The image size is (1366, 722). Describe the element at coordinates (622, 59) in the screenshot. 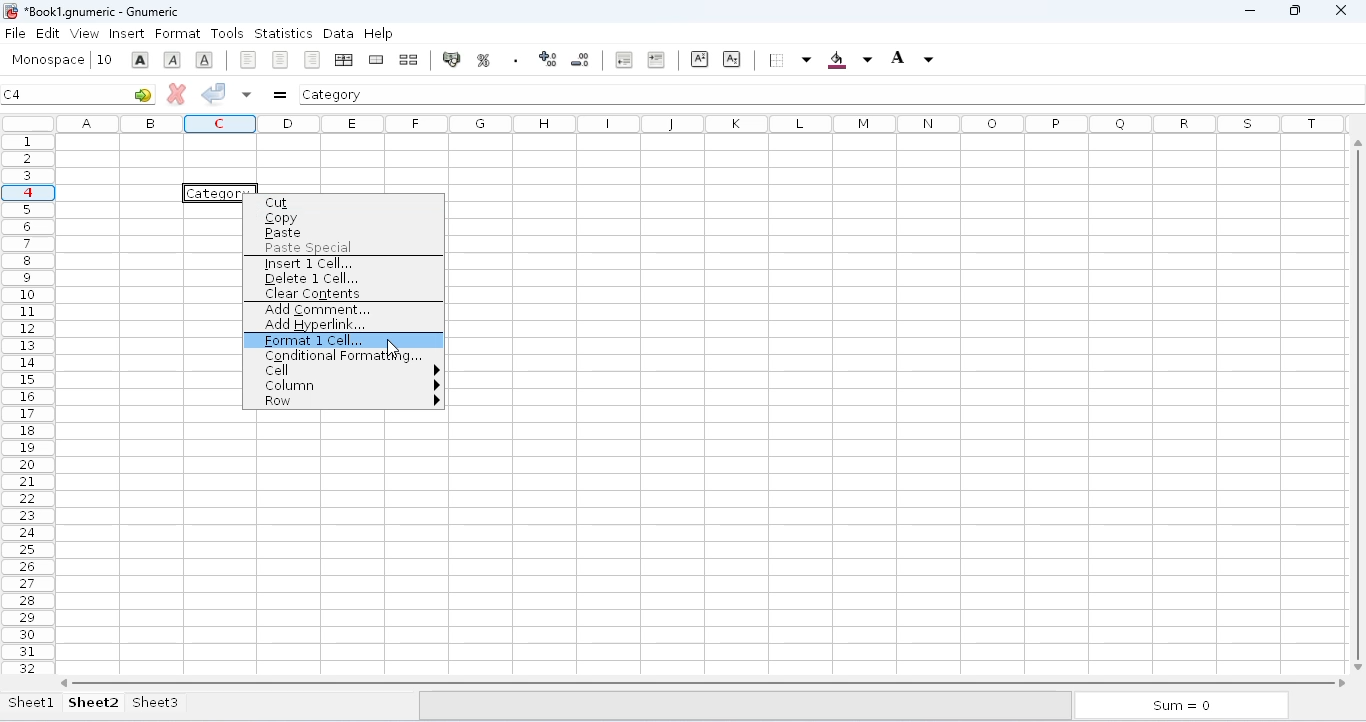

I see `decrease the indent` at that location.